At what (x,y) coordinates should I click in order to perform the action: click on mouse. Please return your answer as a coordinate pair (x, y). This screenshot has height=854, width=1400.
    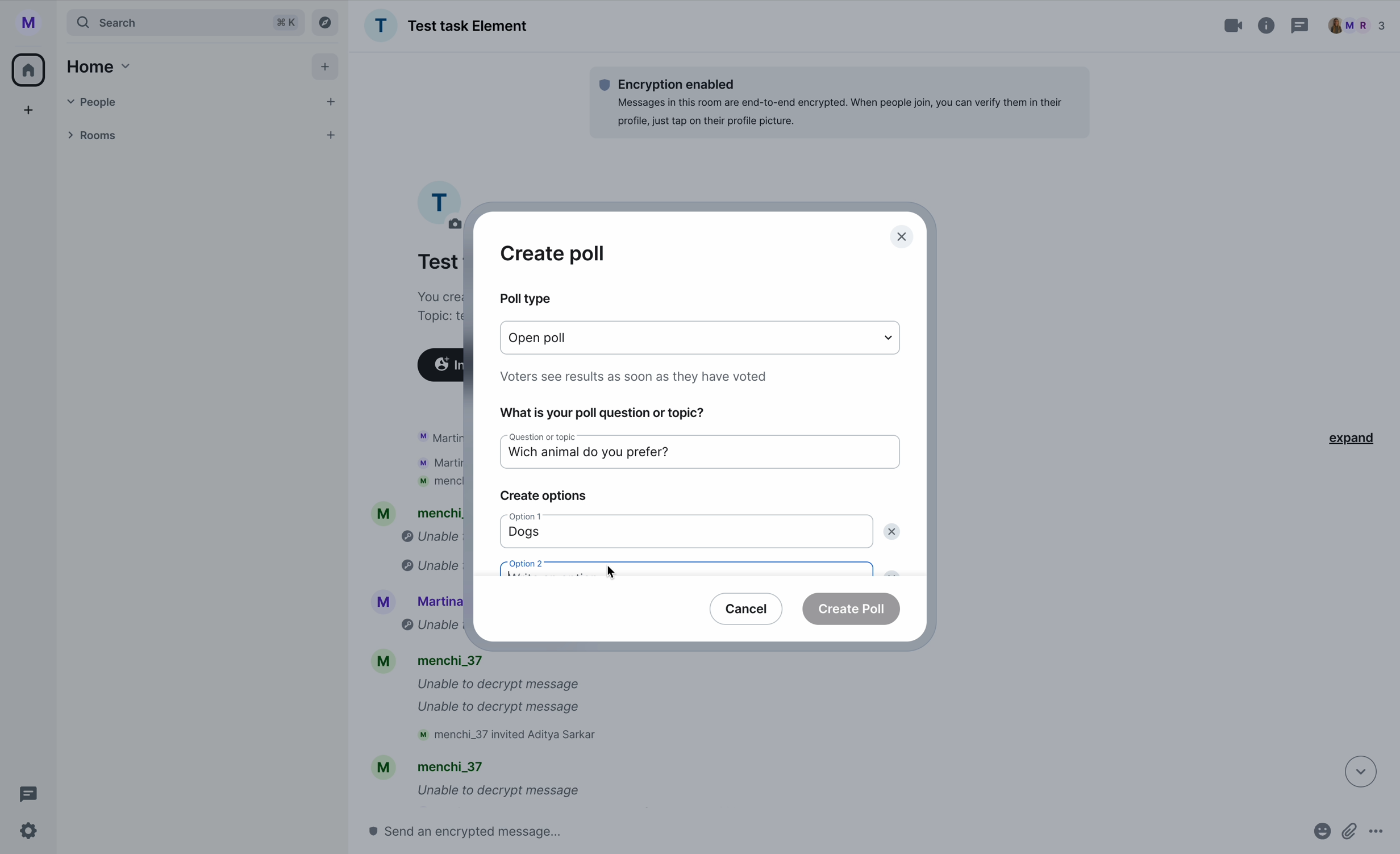
    Looking at the image, I should click on (614, 572).